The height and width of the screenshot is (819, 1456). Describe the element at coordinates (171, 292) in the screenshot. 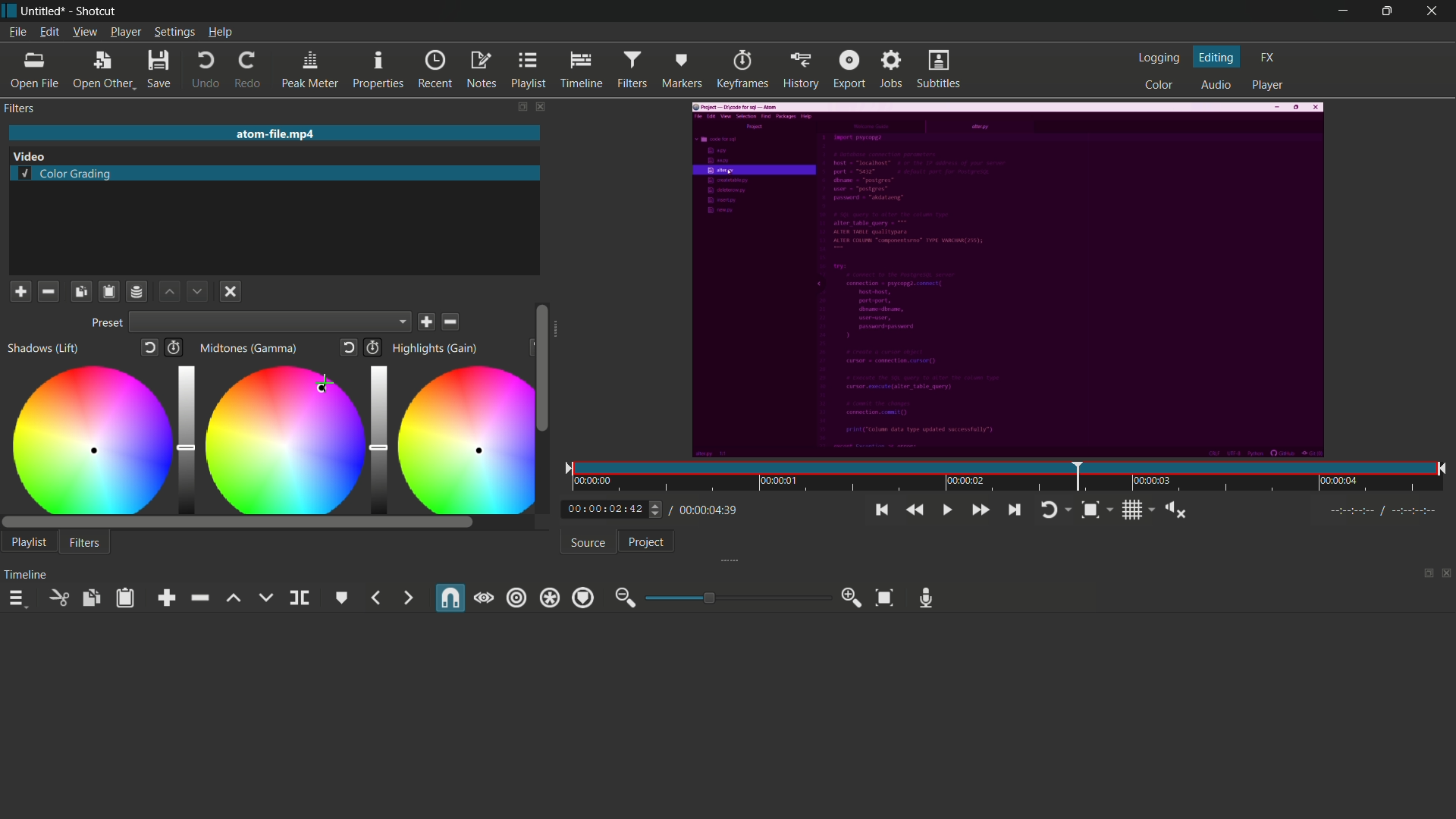

I see `Up` at that location.